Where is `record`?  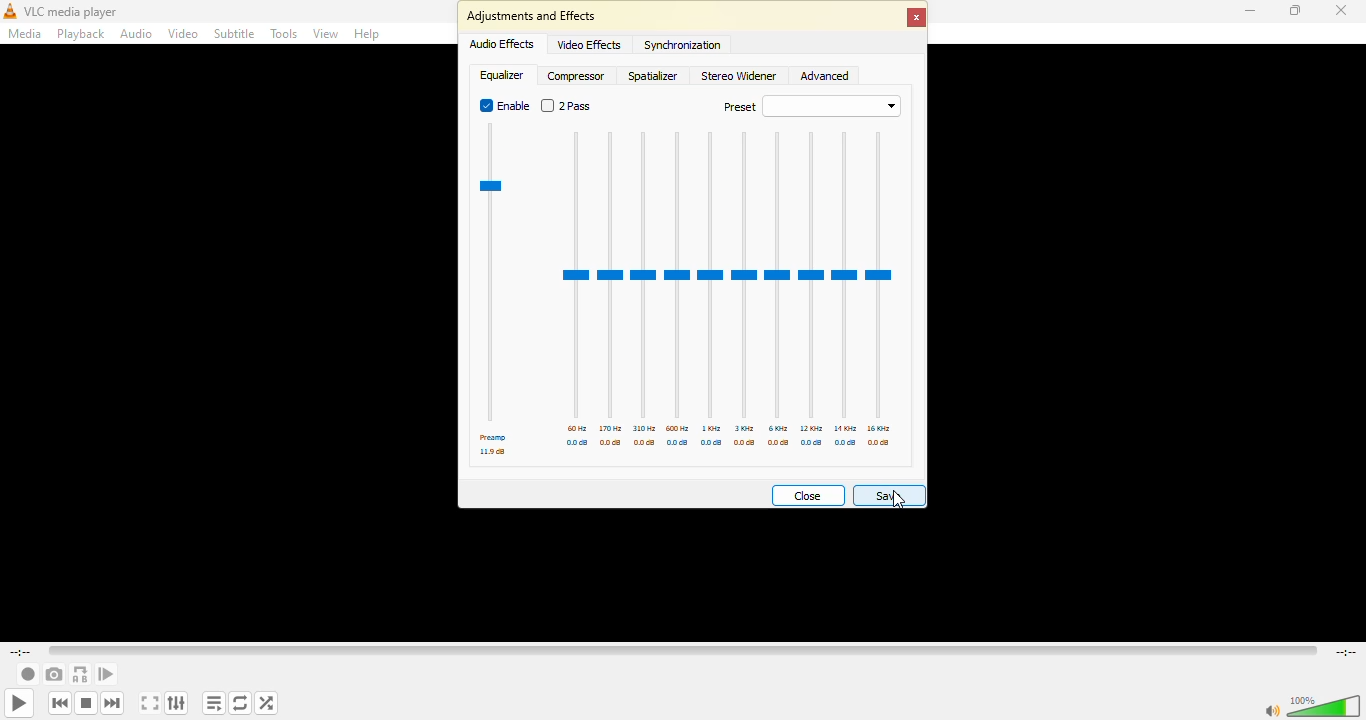
record is located at coordinates (26, 673).